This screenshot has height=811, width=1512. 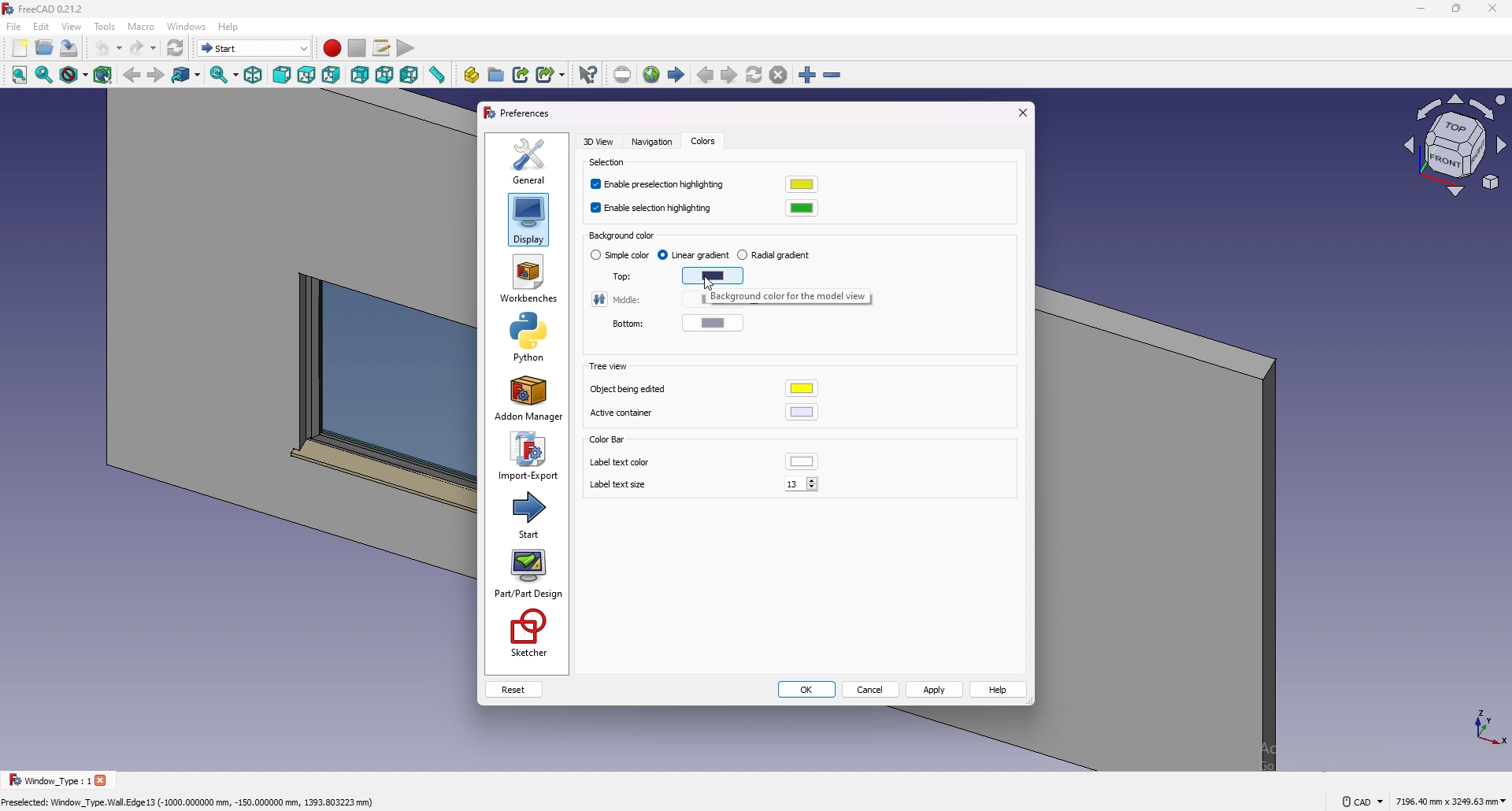 I want to click on back, so click(x=132, y=76).